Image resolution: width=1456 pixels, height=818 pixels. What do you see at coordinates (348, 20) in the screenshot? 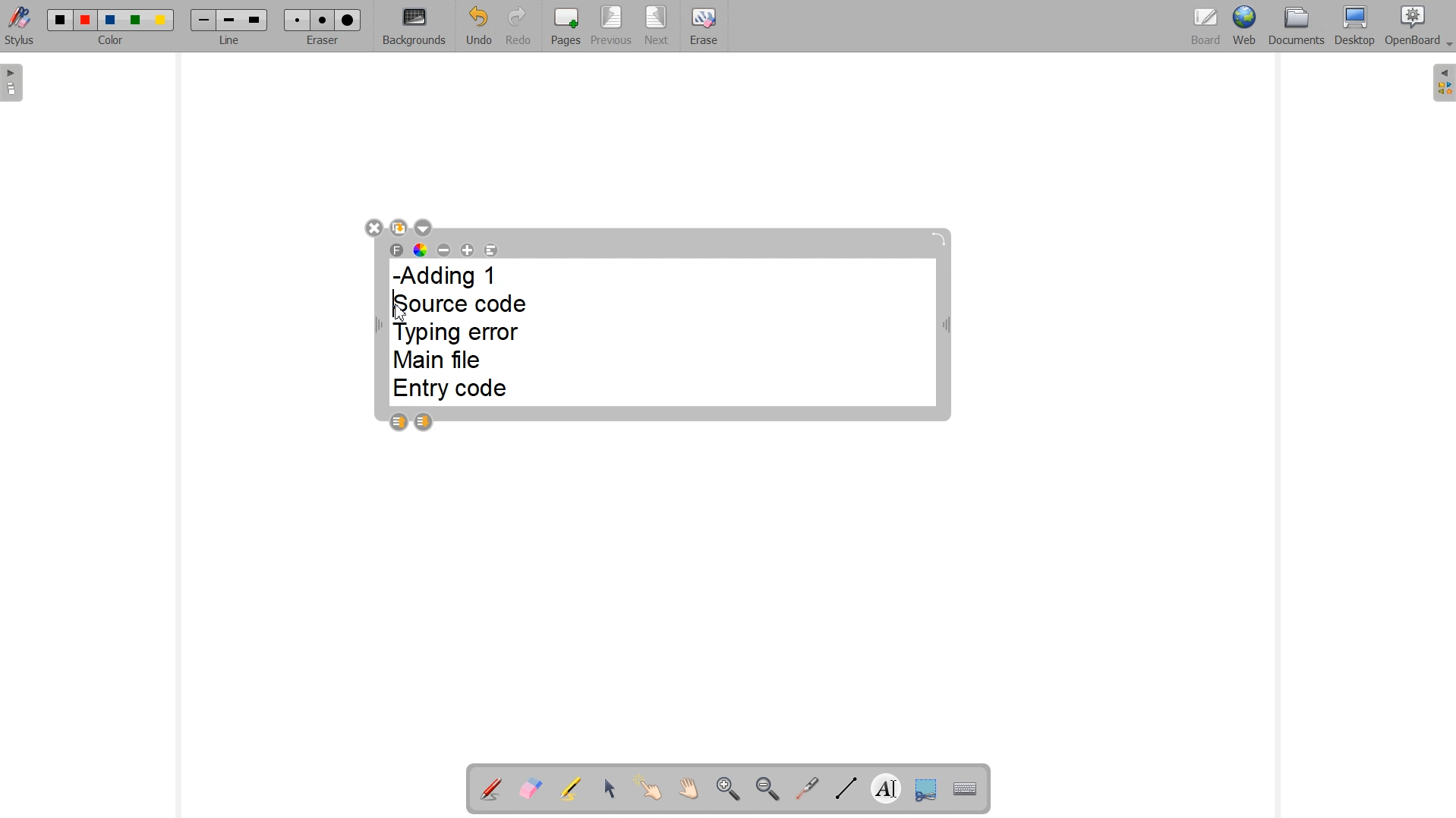
I see `Large eraser` at bounding box center [348, 20].